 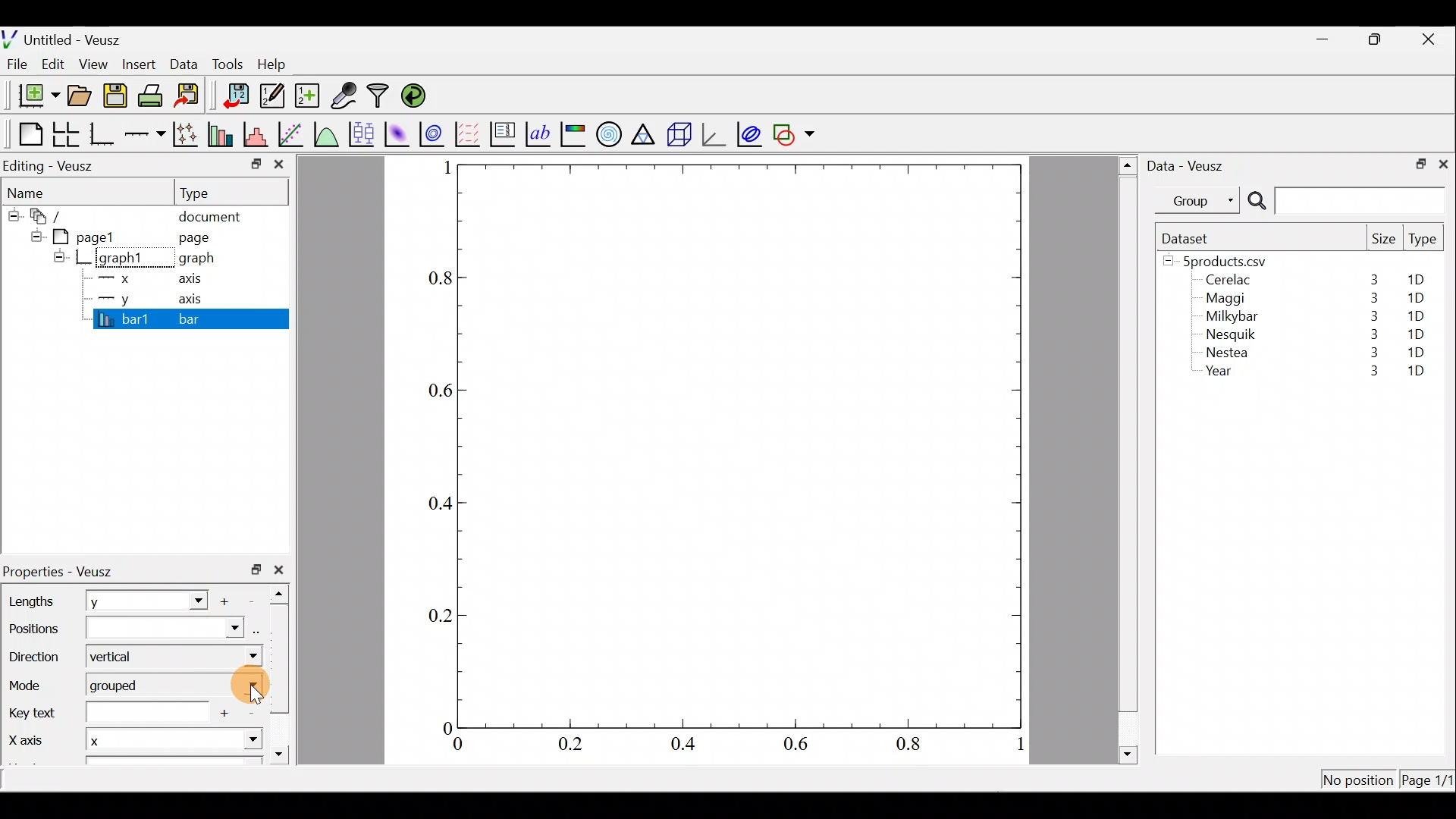 What do you see at coordinates (27, 741) in the screenshot?
I see `X axis` at bounding box center [27, 741].